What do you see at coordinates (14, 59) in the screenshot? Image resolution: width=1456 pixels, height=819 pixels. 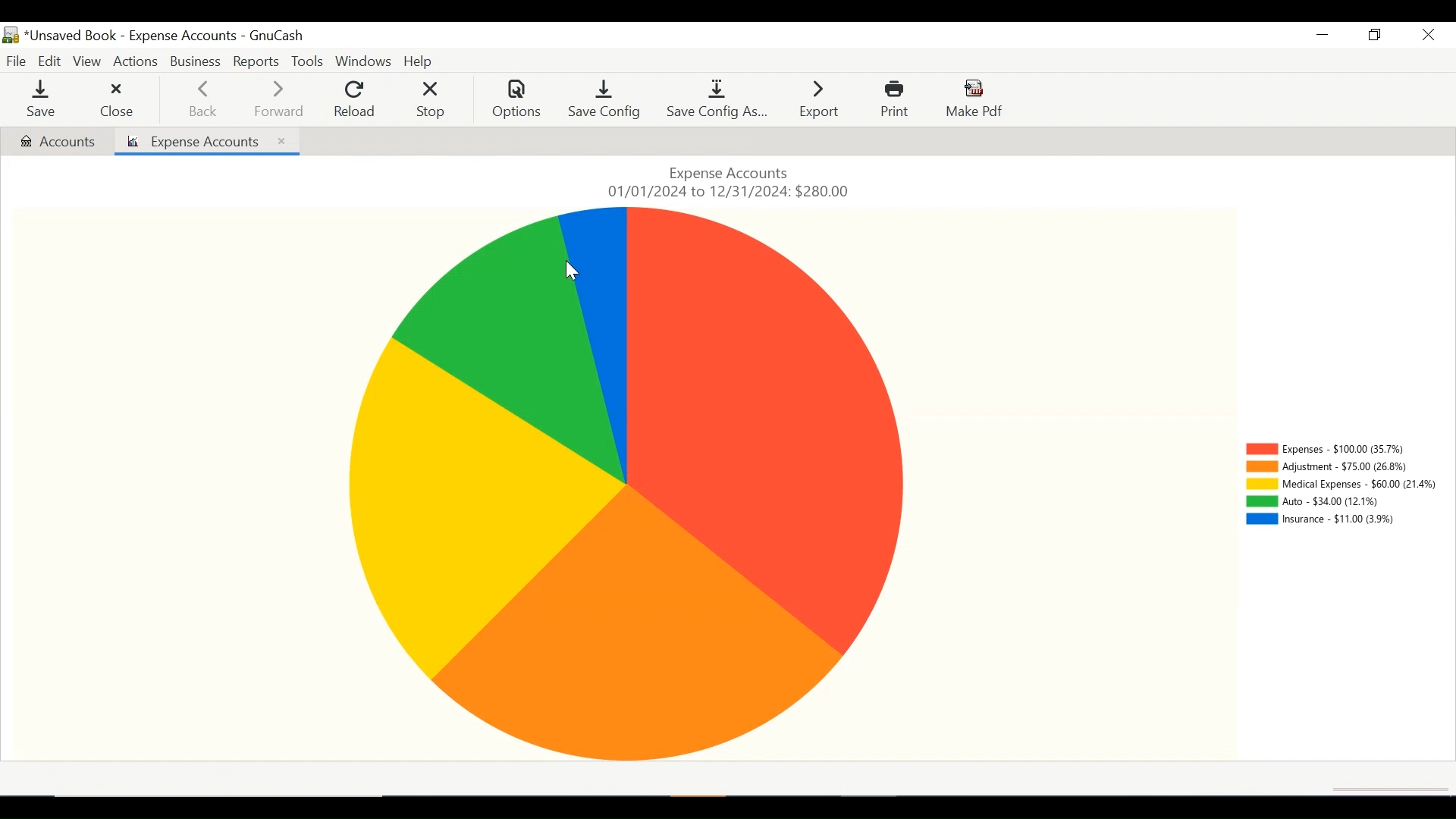 I see `File` at bounding box center [14, 59].